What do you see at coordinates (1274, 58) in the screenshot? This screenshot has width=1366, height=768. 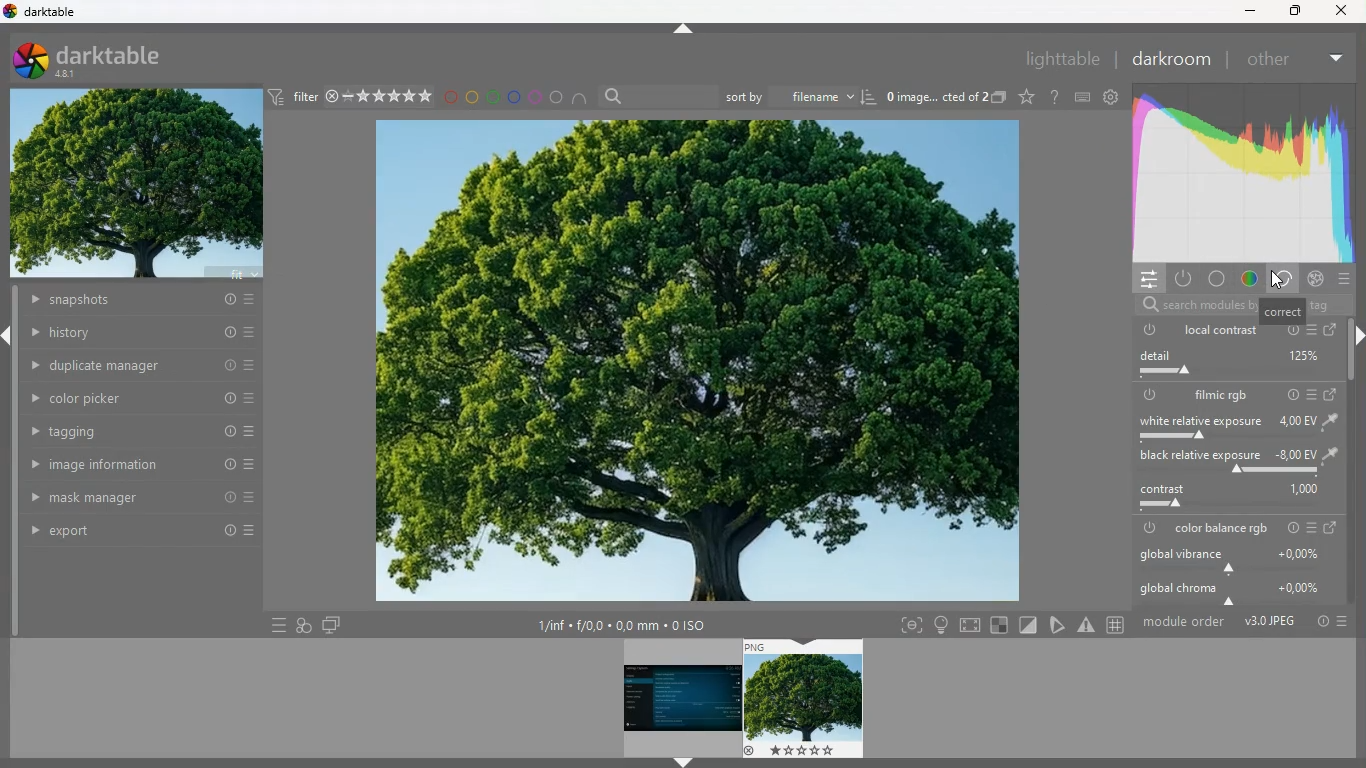 I see `other` at bounding box center [1274, 58].